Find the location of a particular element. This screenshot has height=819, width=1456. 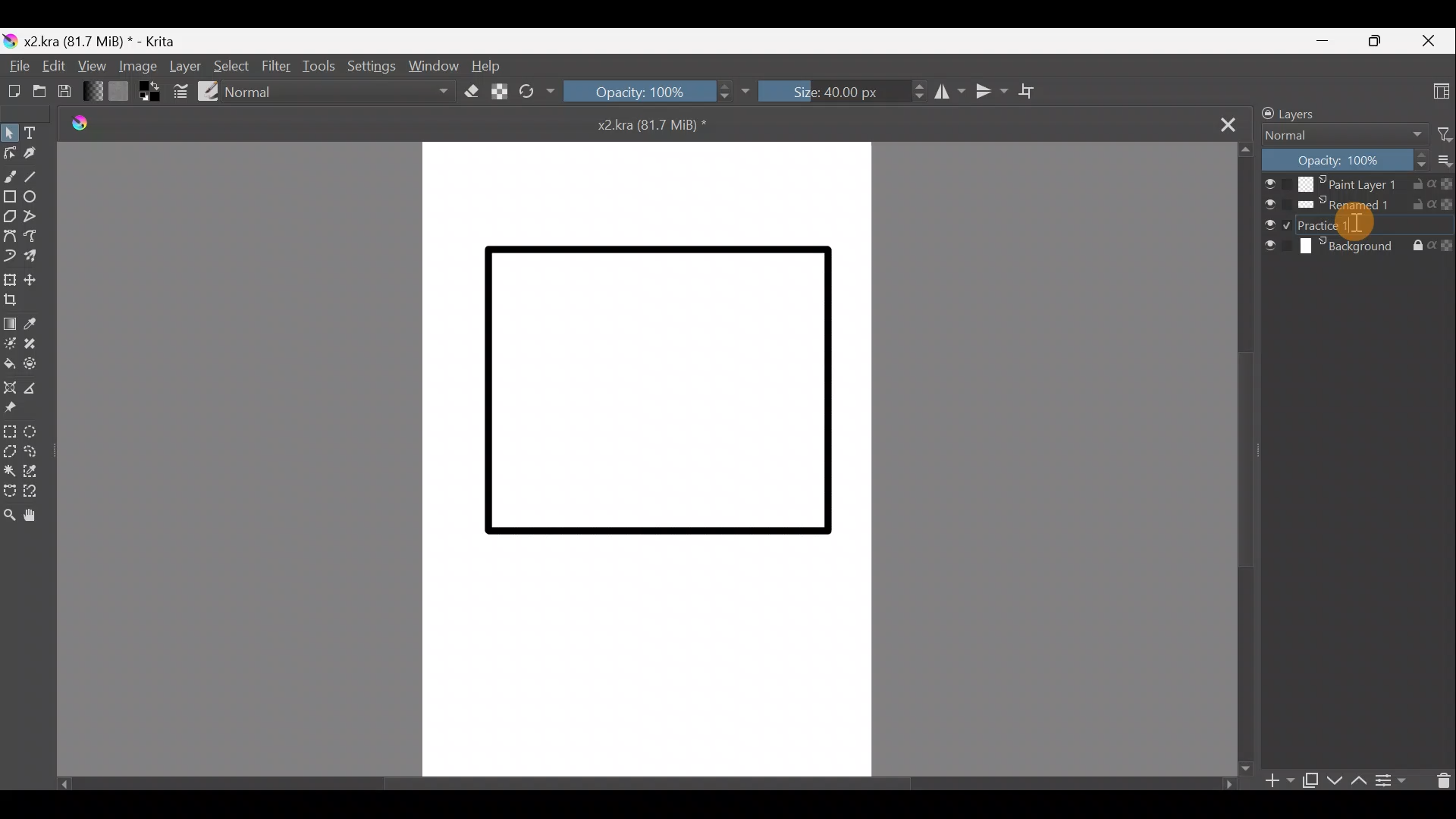

Opacity: 100% is located at coordinates (656, 94).